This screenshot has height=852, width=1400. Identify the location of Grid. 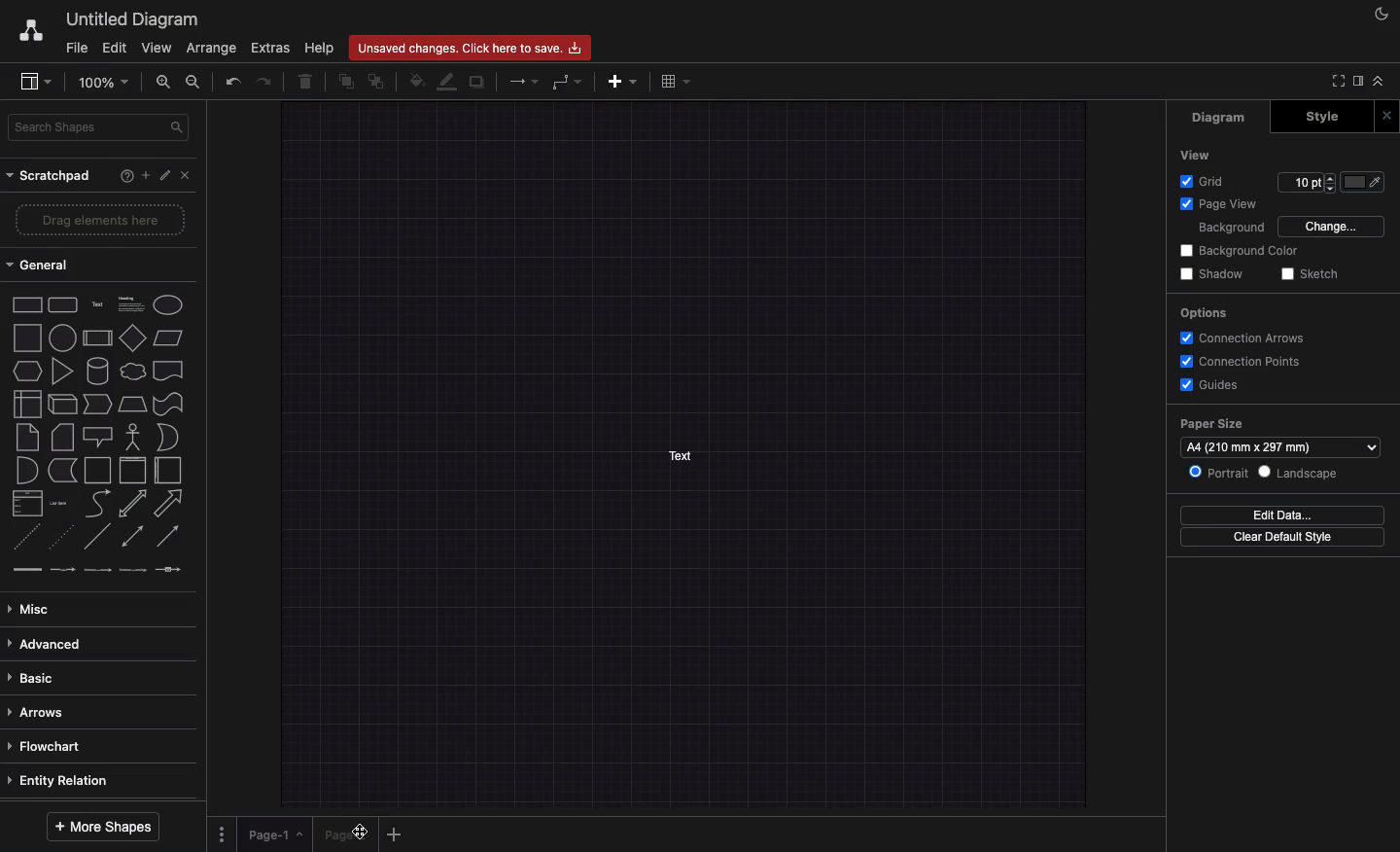
(1201, 182).